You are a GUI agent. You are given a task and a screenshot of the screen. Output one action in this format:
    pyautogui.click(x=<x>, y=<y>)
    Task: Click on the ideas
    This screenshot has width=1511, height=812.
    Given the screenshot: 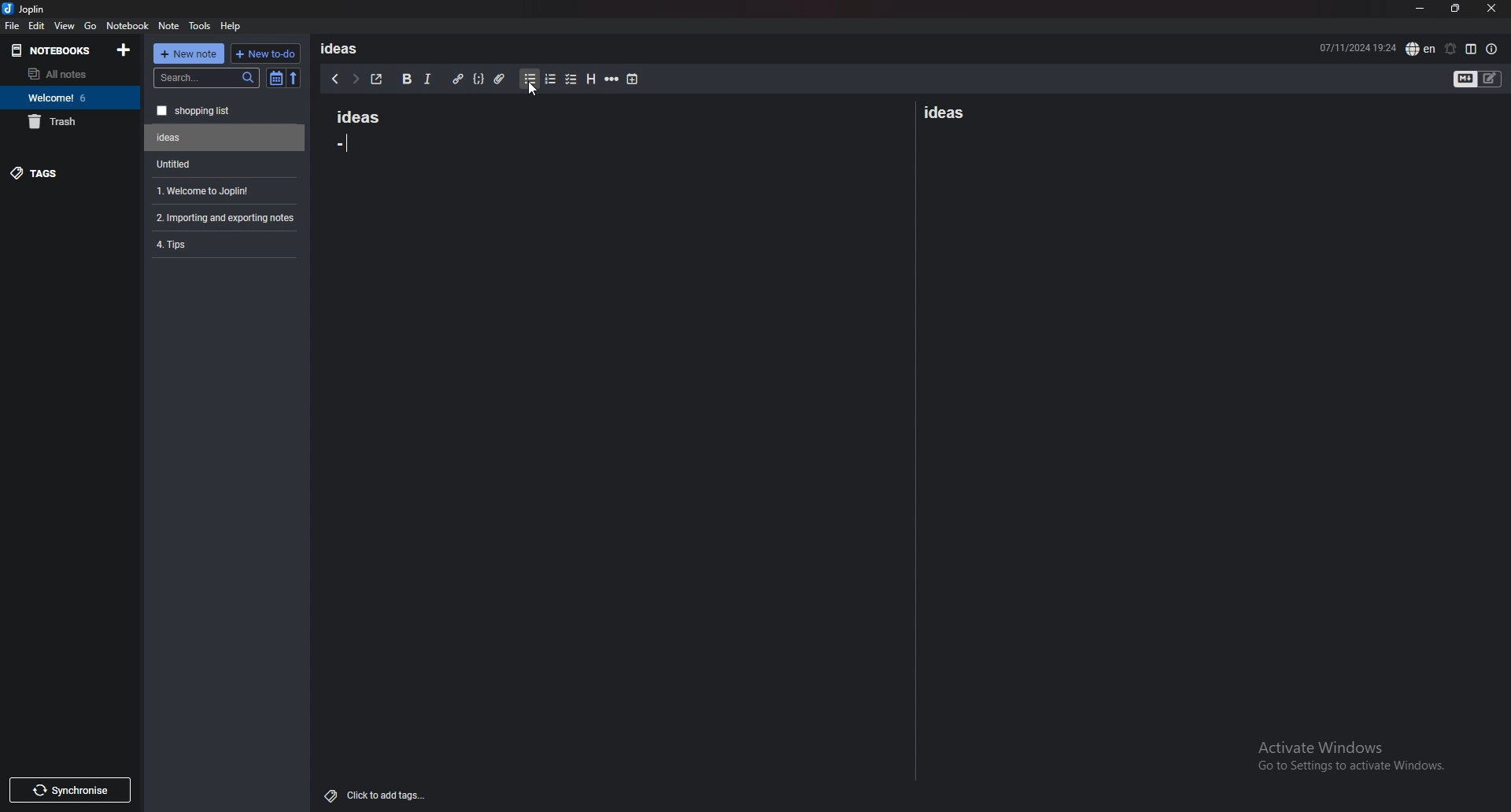 What is the action you would take?
    pyautogui.click(x=943, y=110)
    